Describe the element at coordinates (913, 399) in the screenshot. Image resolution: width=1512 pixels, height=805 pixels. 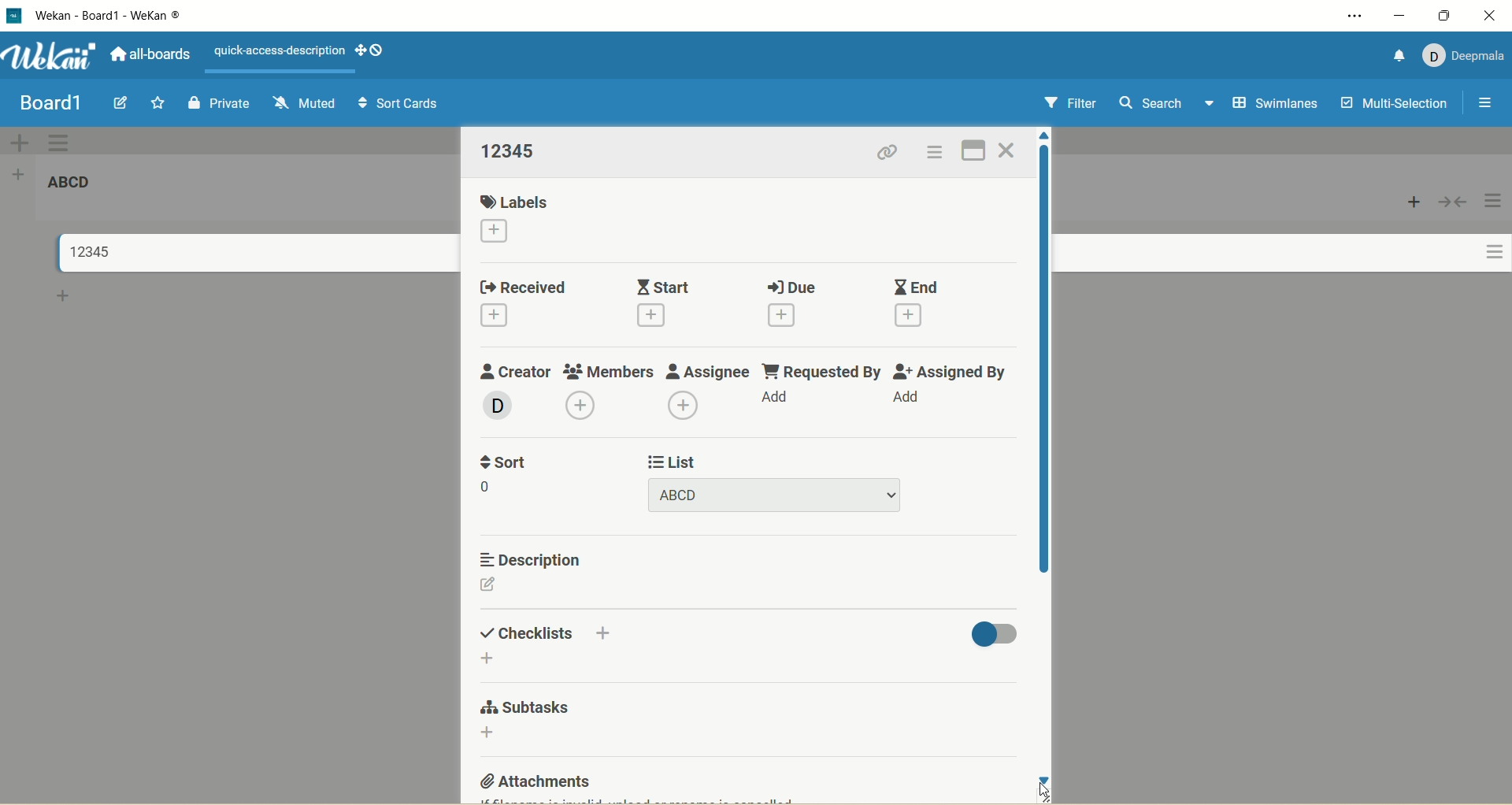
I see `add` at that location.